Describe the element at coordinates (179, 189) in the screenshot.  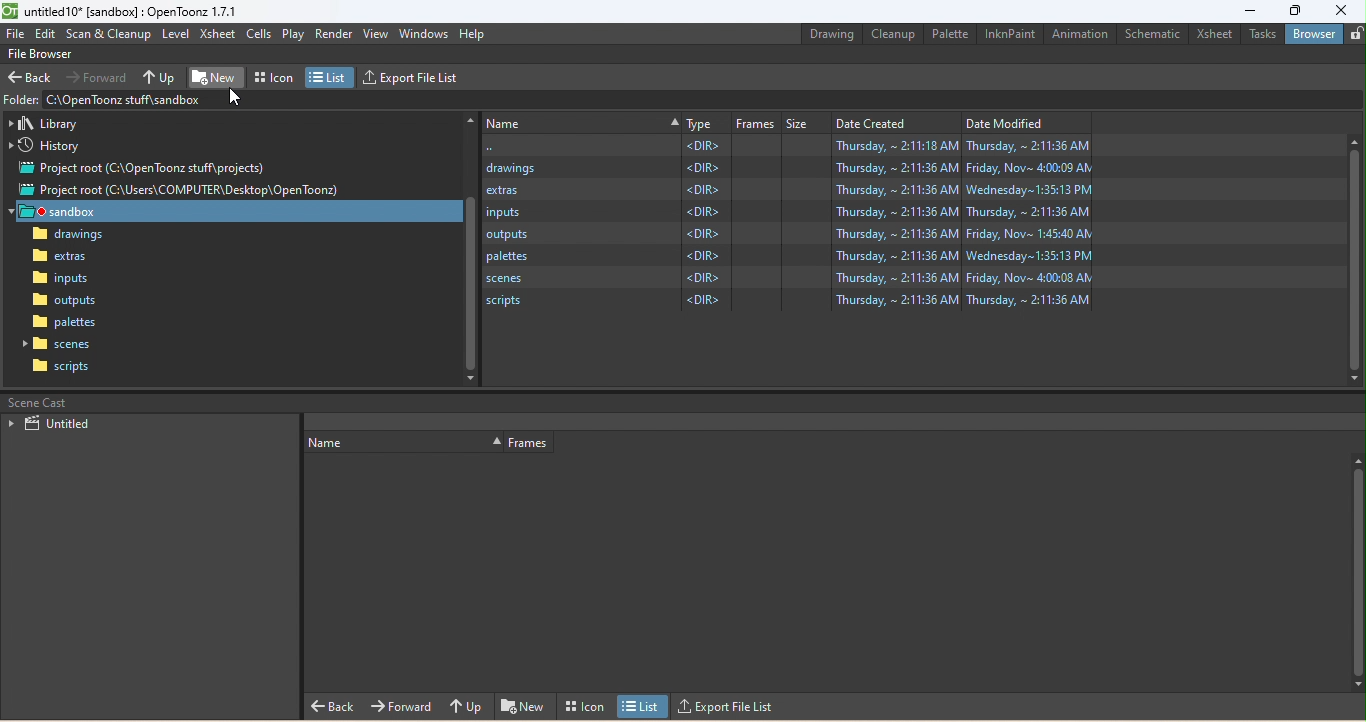
I see `Project root` at that location.